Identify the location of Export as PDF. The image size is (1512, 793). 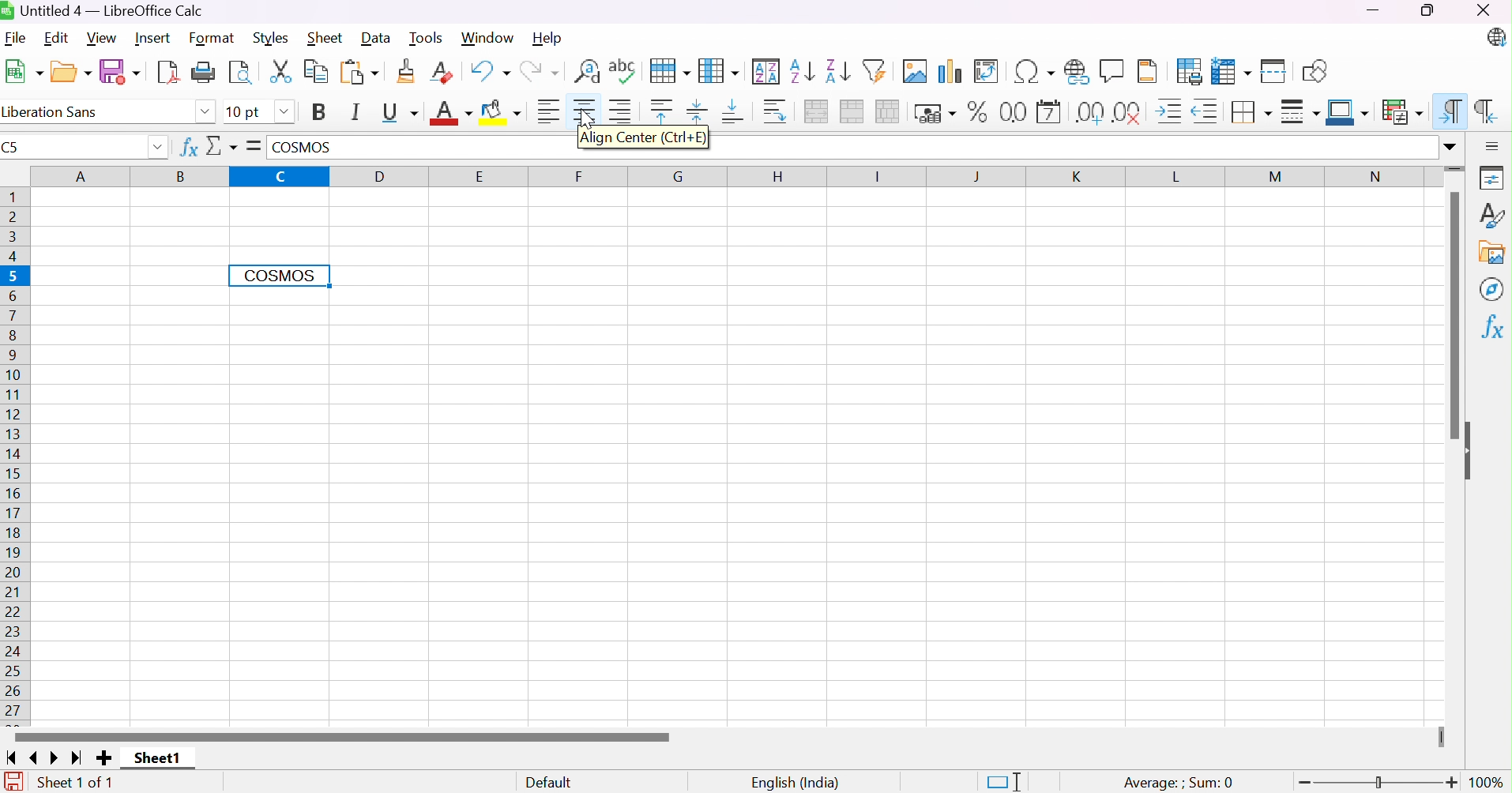
(167, 73).